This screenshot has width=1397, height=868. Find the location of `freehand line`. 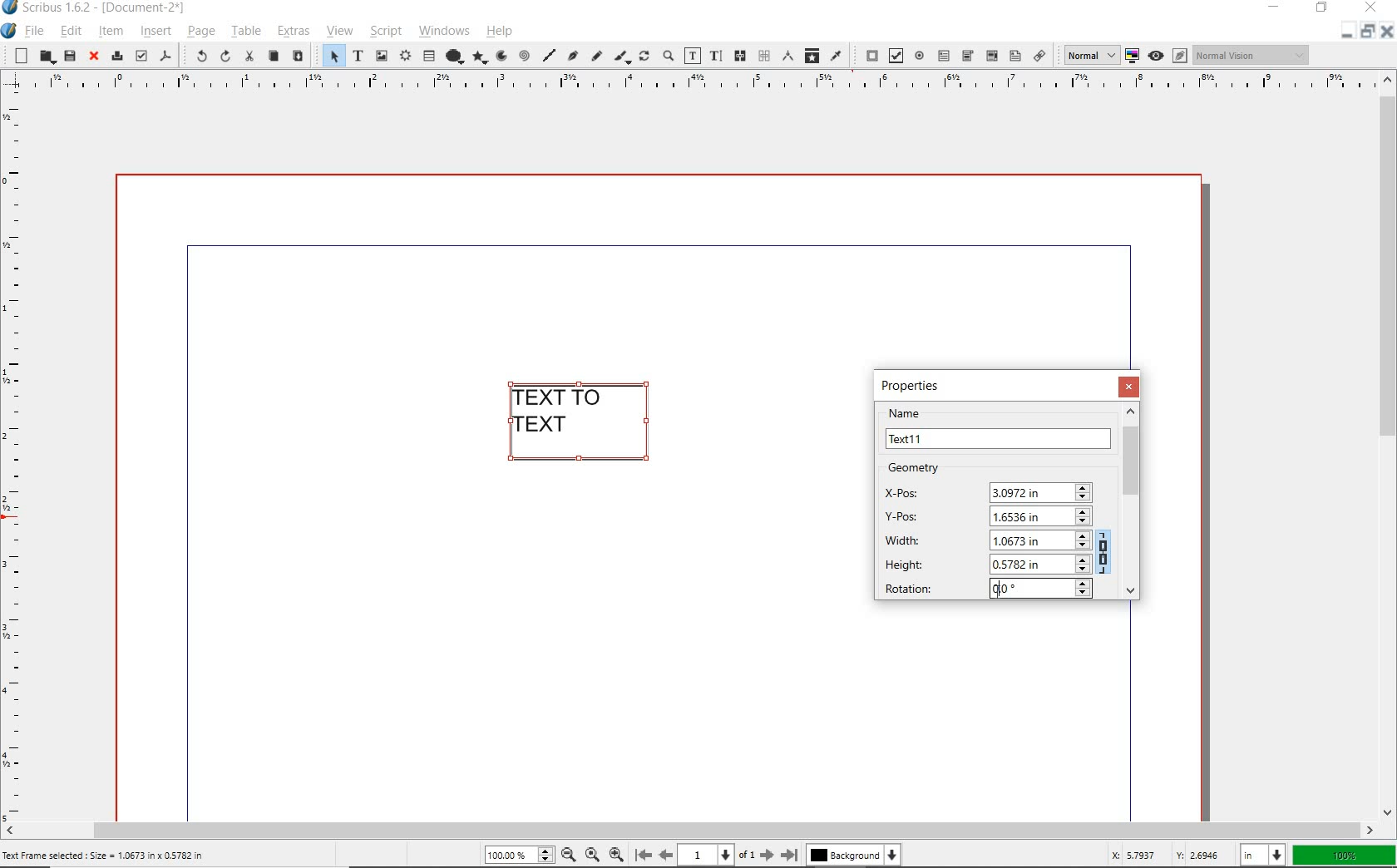

freehand line is located at coordinates (597, 55).